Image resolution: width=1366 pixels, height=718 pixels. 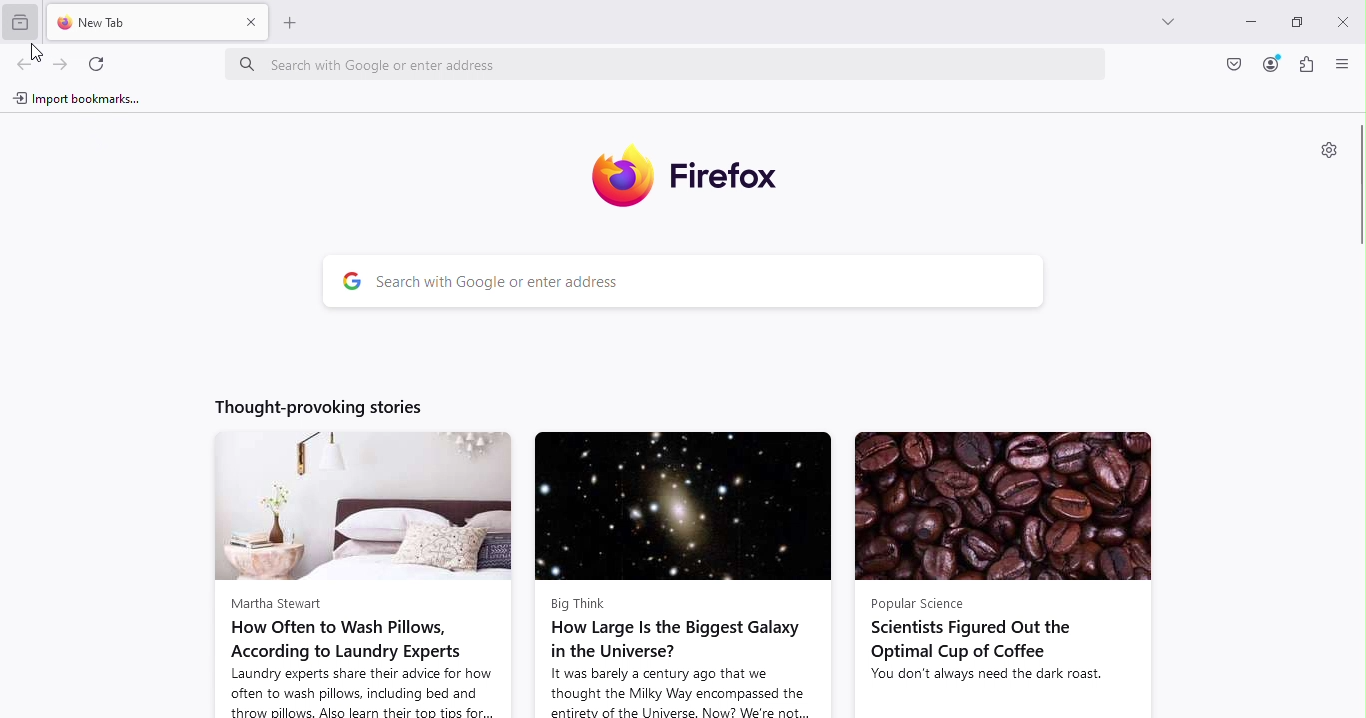 I want to click on Maximize, so click(x=1292, y=23).